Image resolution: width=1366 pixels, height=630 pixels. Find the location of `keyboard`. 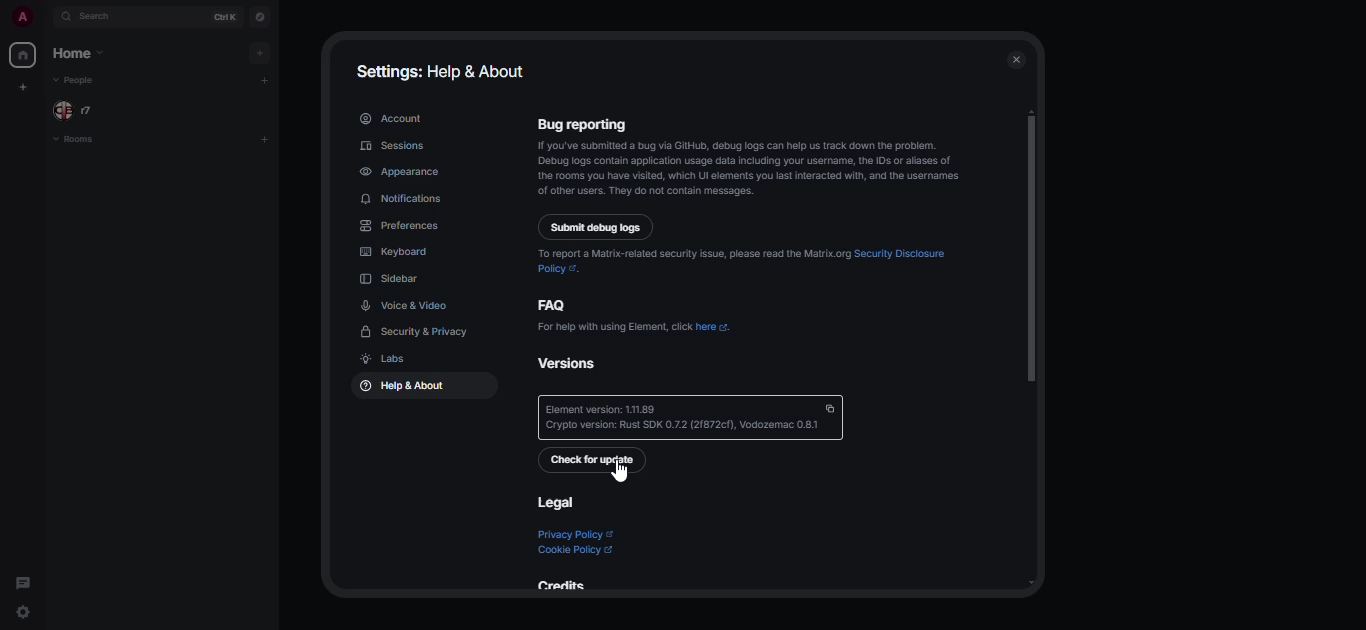

keyboard is located at coordinates (396, 252).